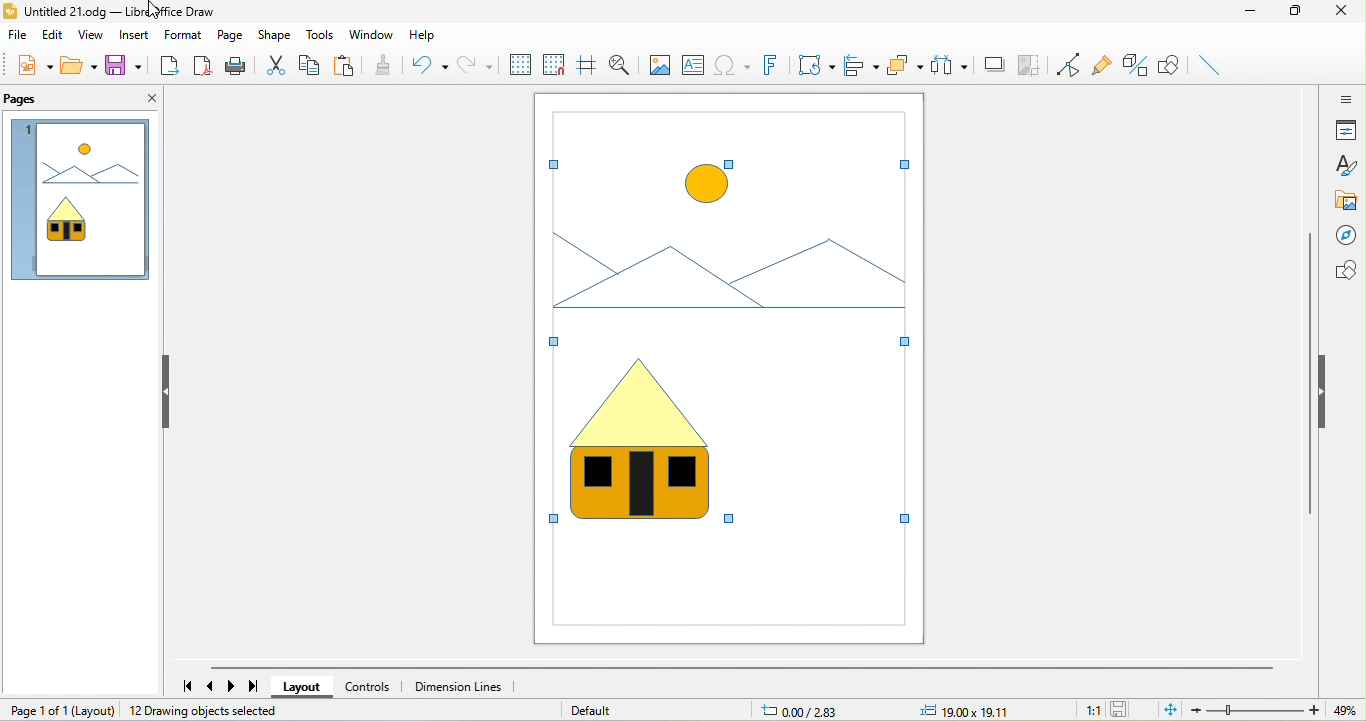 The height and width of the screenshot is (722, 1366). I want to click on page 1 of 1 (layout), so click(57, 710).